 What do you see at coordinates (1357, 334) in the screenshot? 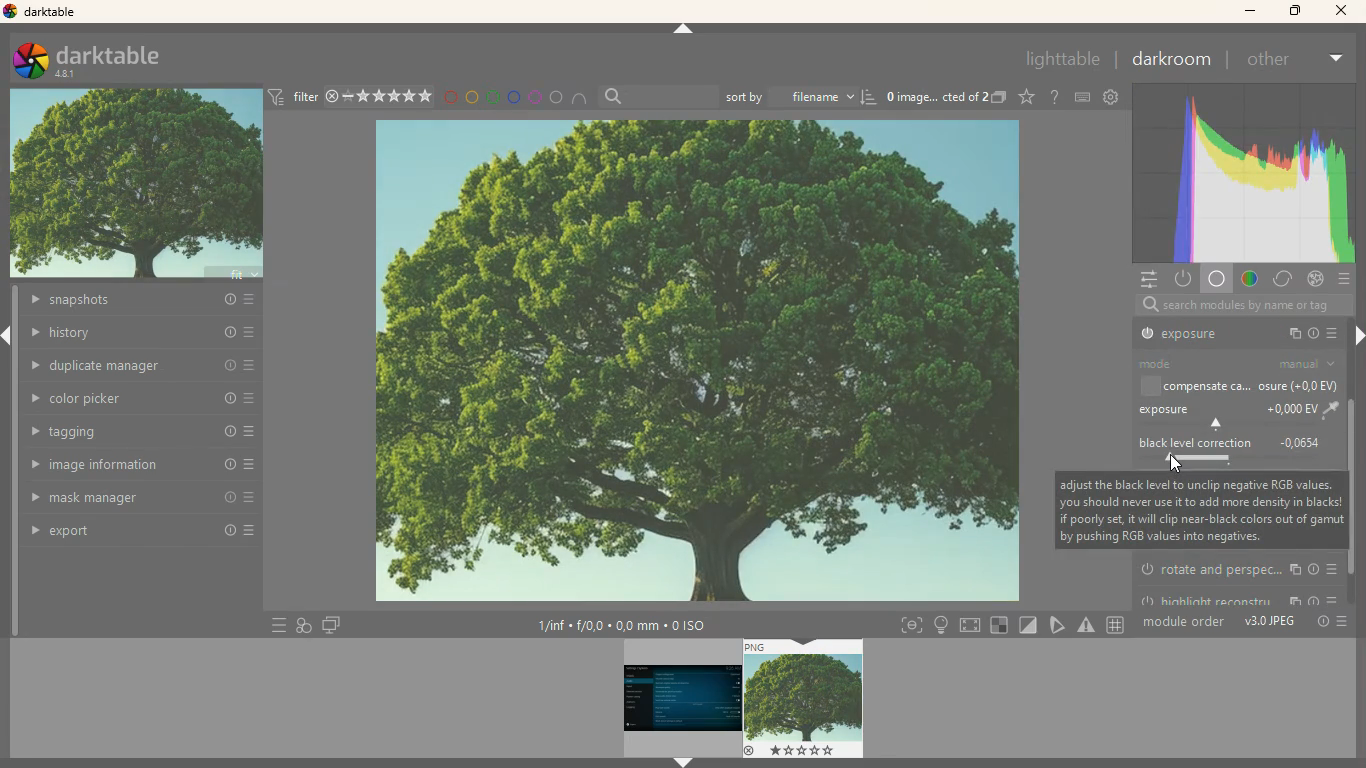
I see `arrow` at bounding box center [1357, 334].